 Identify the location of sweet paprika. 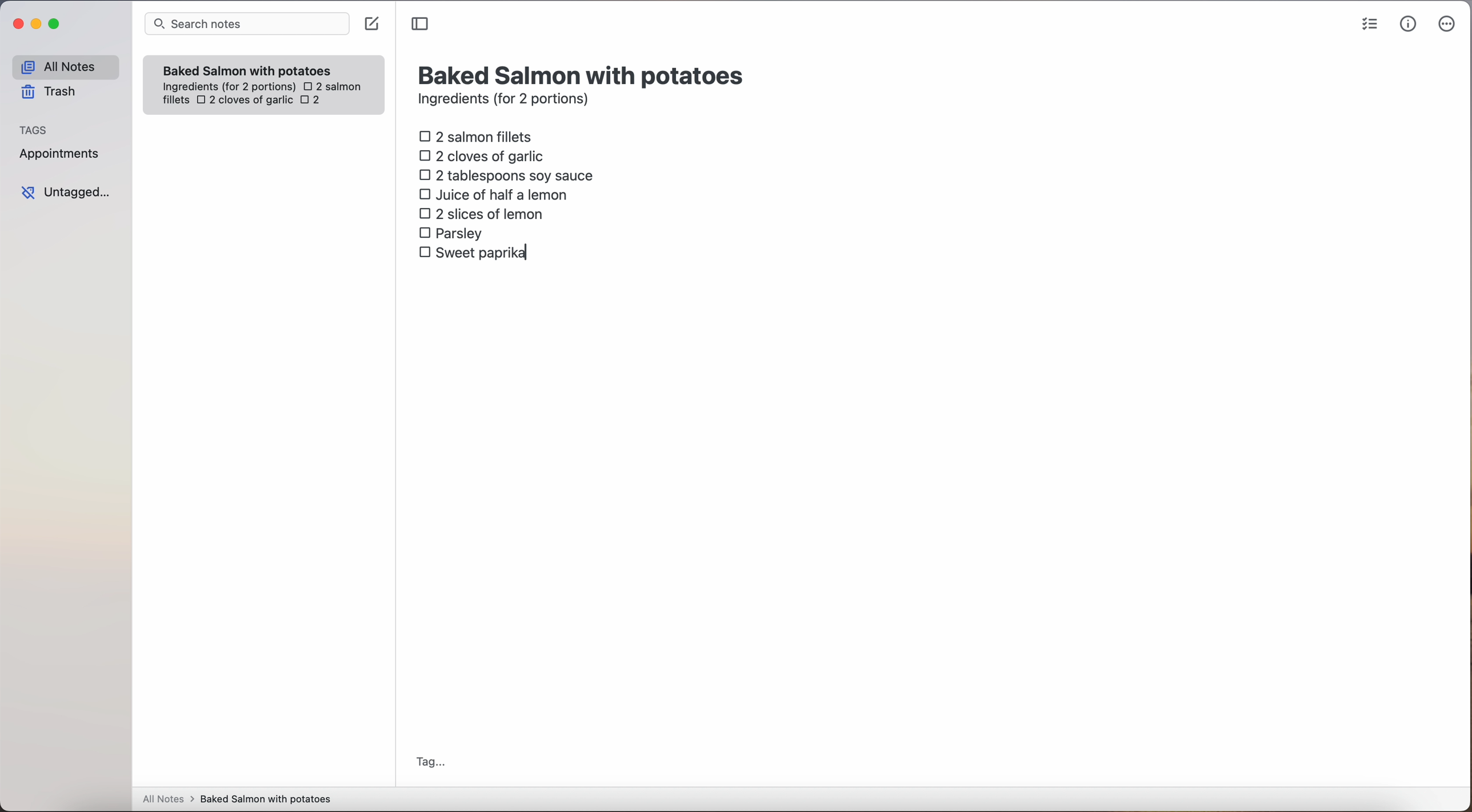
(475, 253).